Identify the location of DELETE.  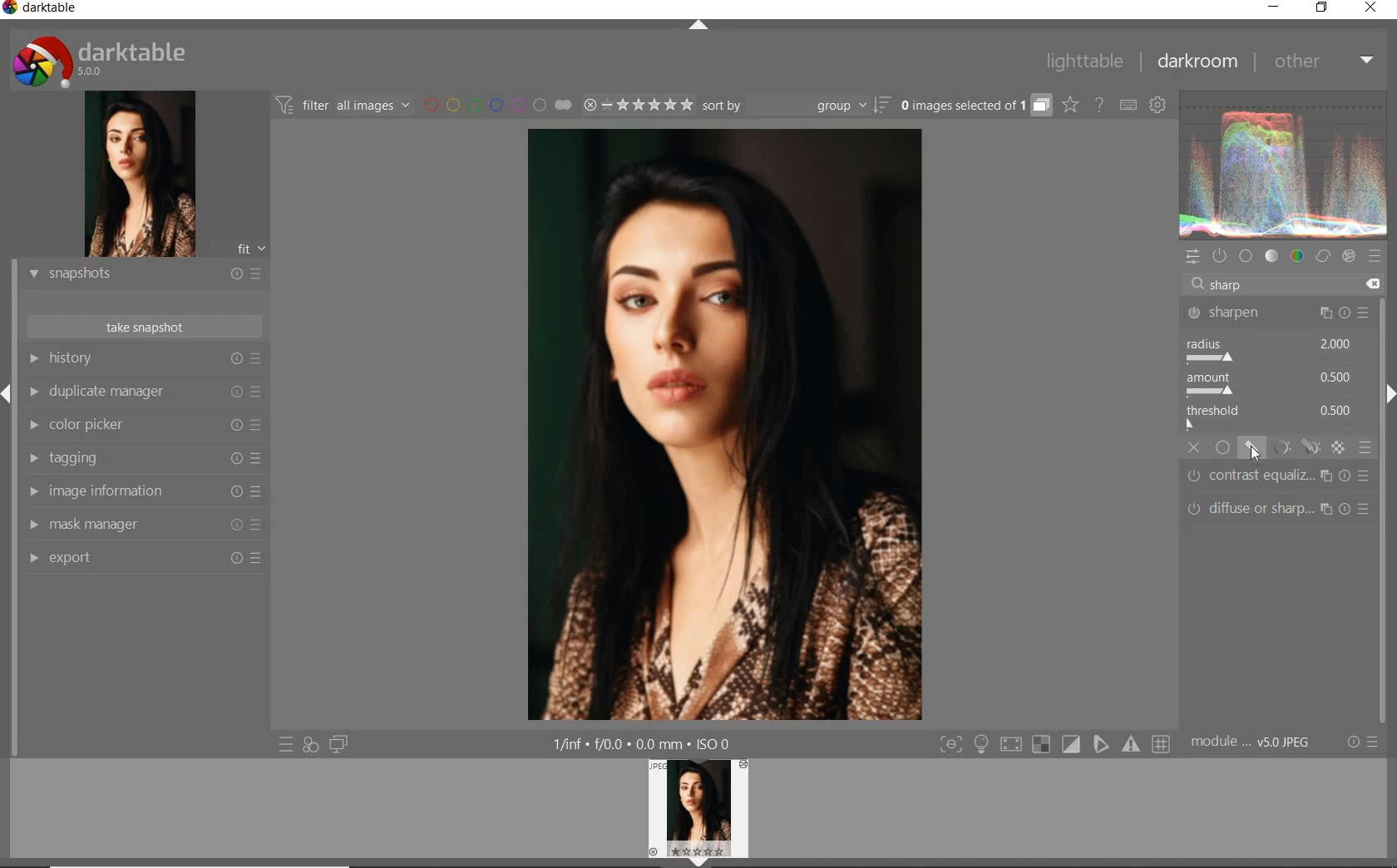
(1369, 284).